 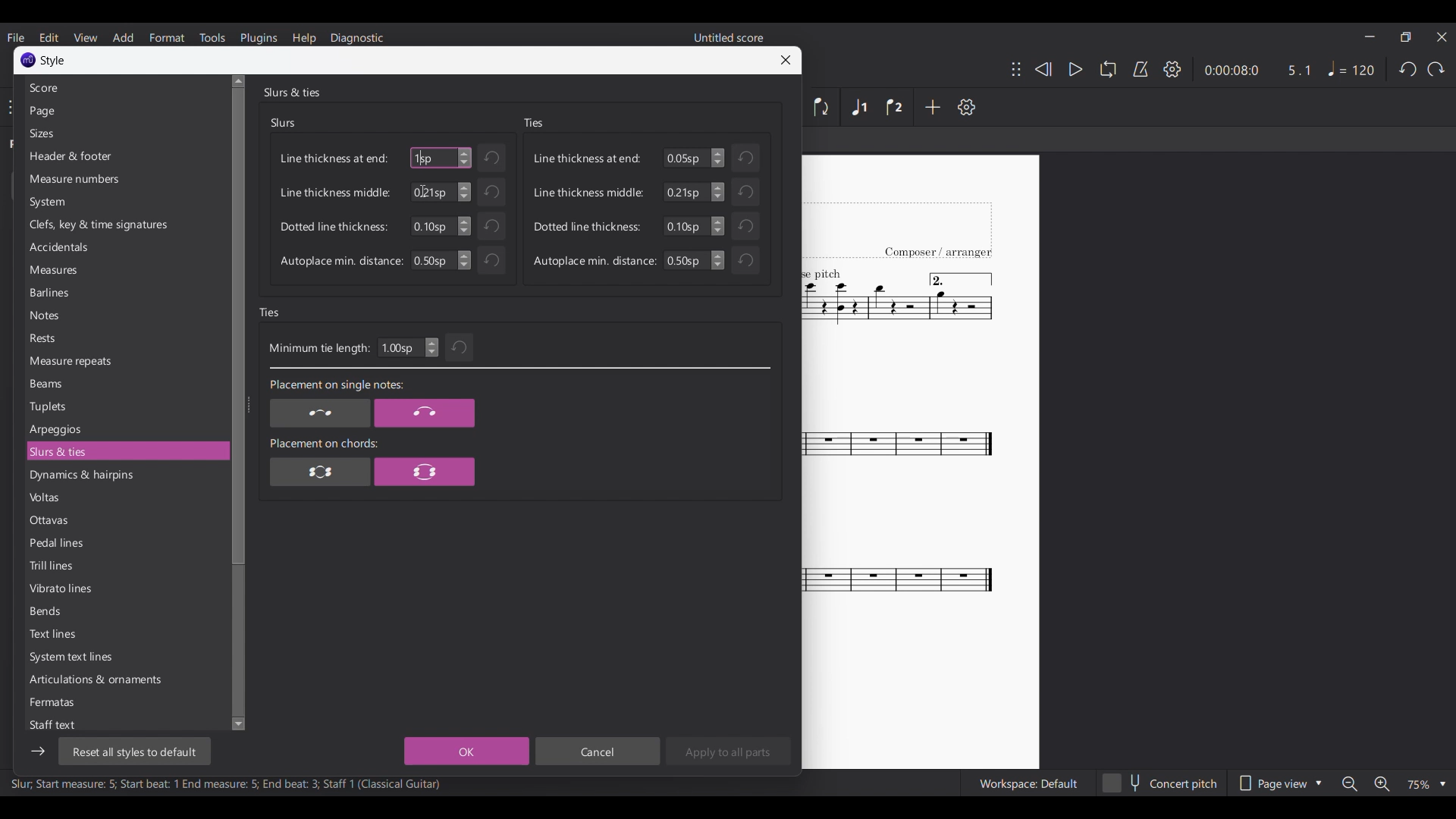 I want to click on File menu, so click(x=17, y=37).